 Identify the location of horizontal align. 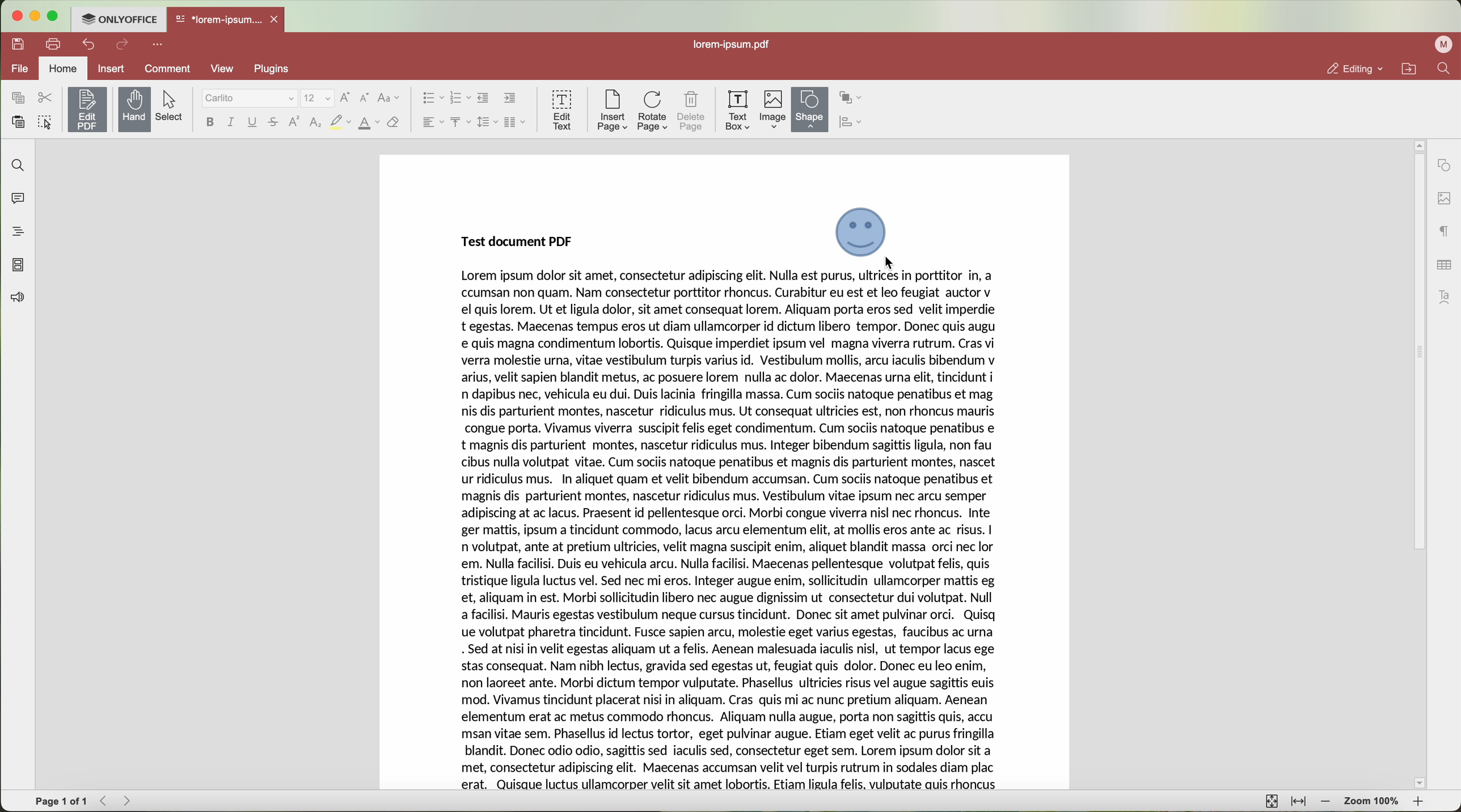
(430, 122).